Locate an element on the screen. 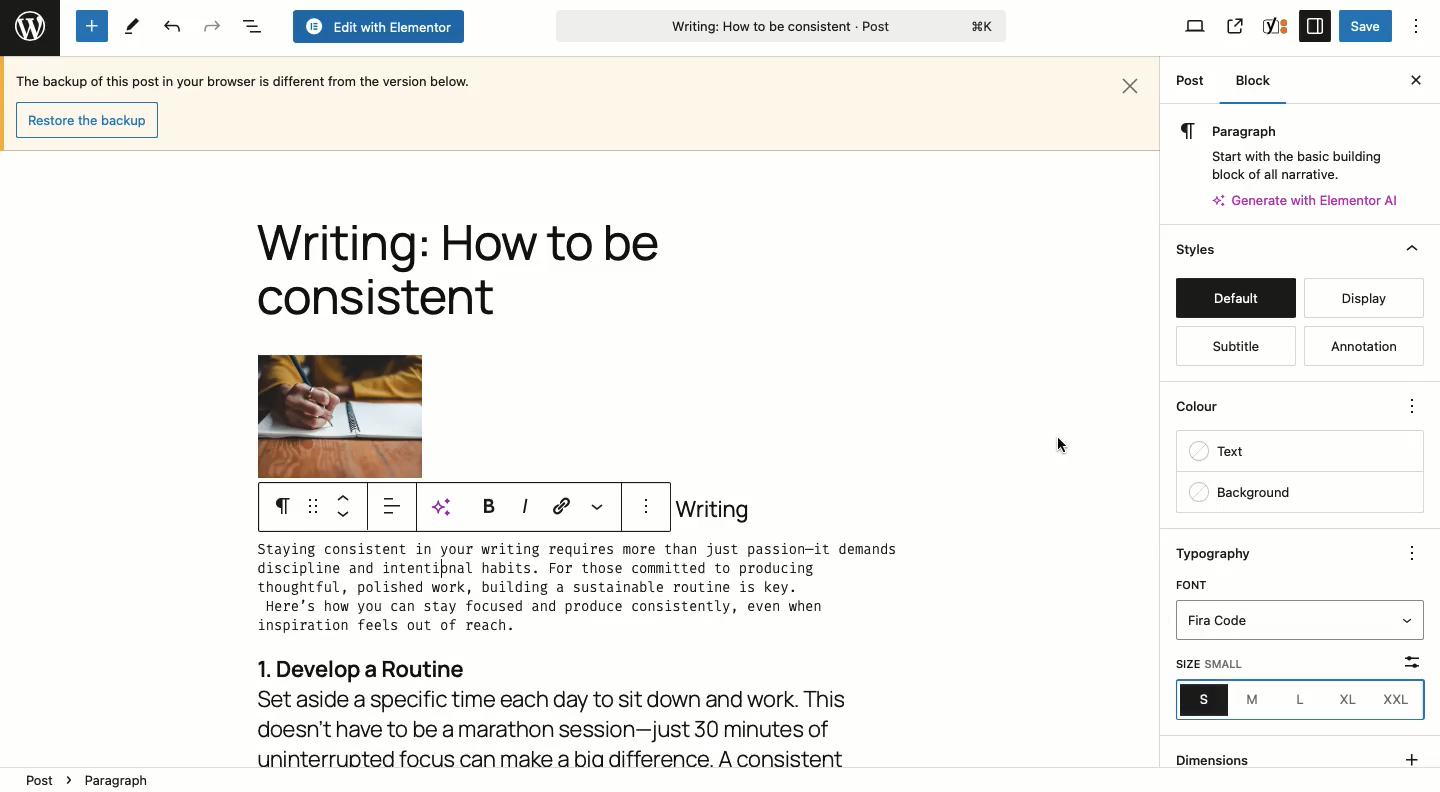  Paragraph is located at coordinates (1285, 130).